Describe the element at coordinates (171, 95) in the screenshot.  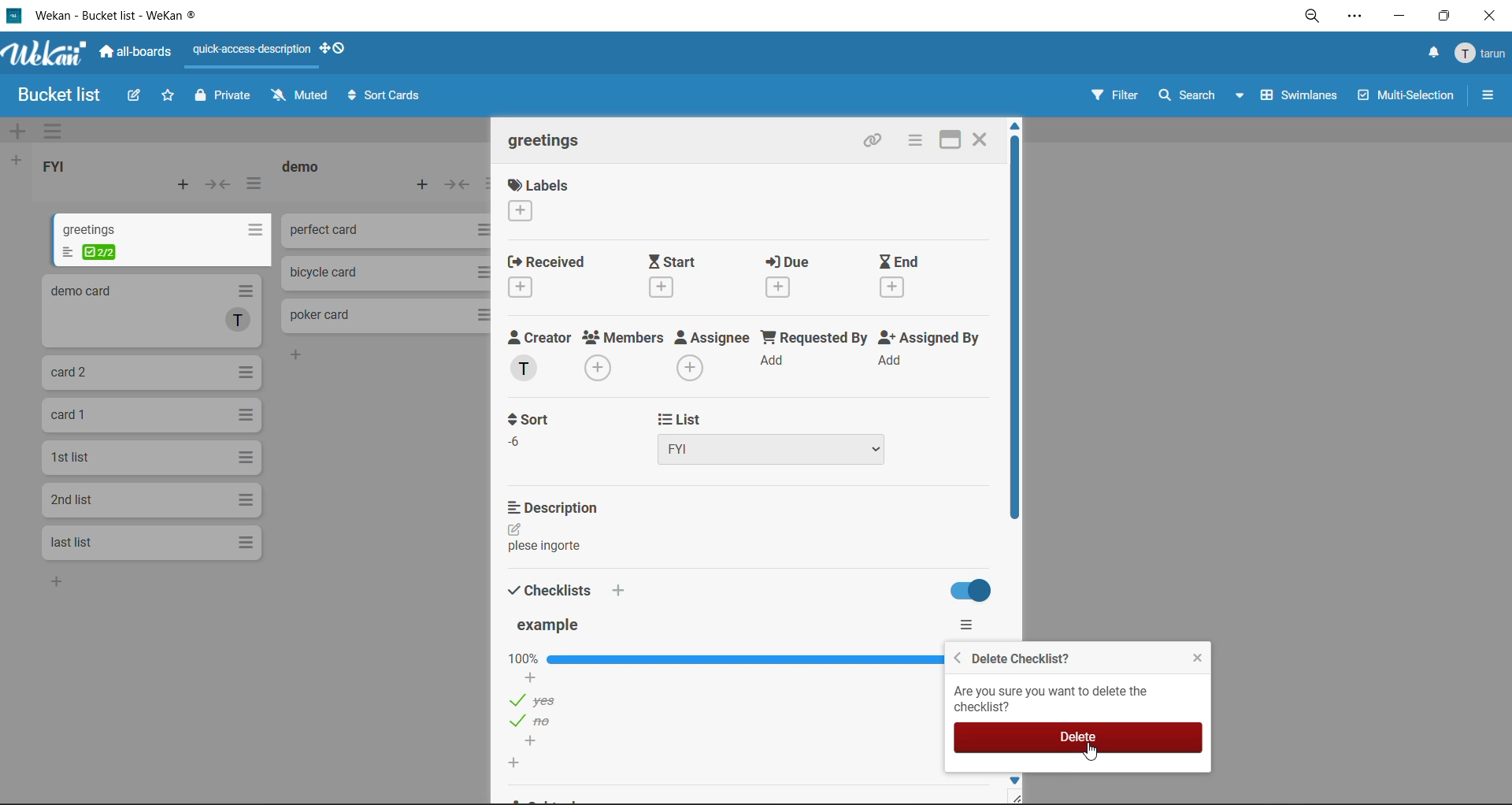
I see `star` at that location.